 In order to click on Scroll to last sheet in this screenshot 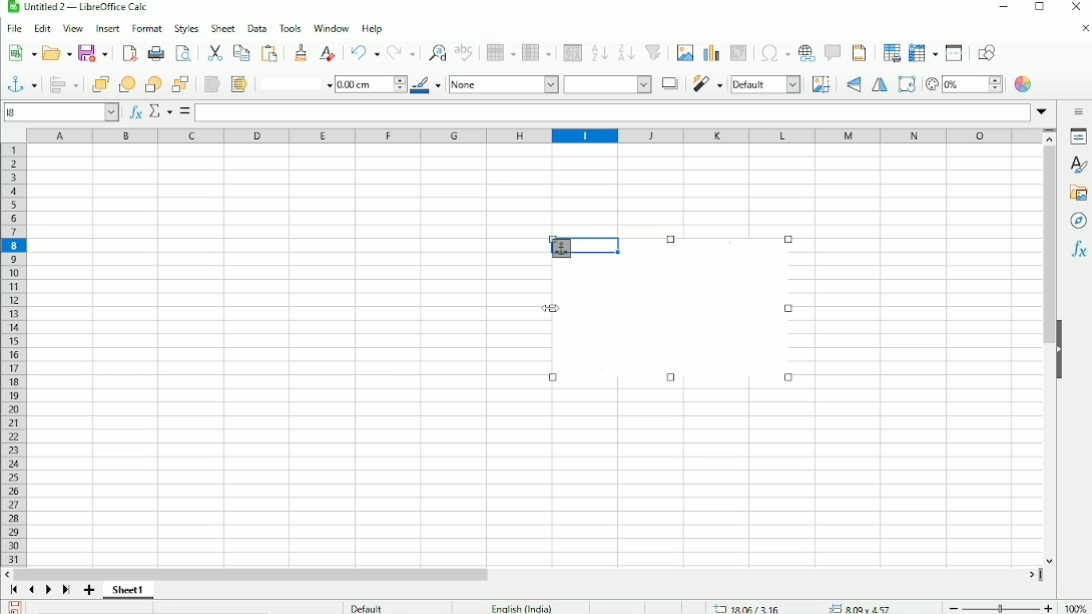, I will do `click(66, 591)`.